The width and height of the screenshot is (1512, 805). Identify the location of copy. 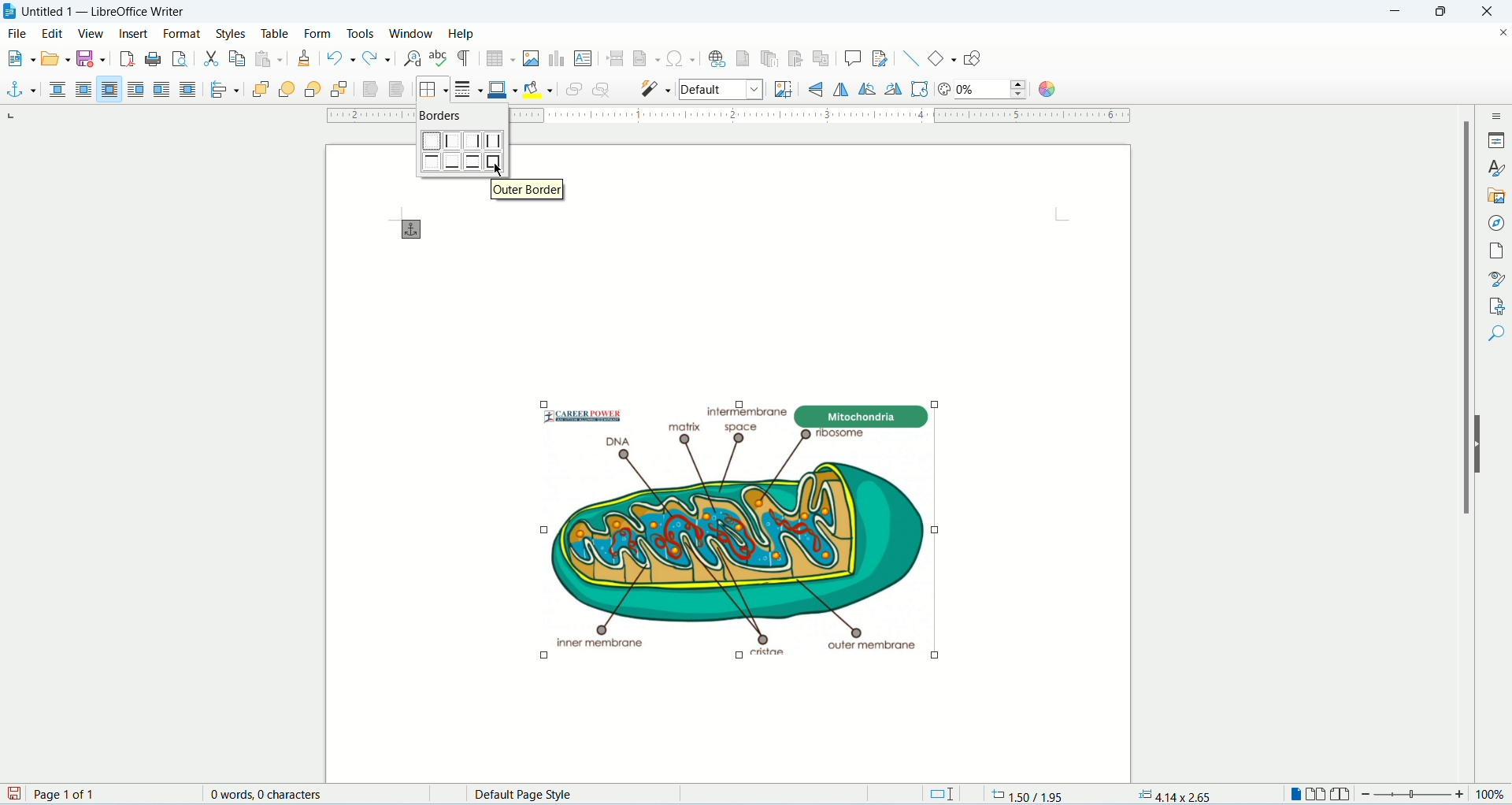
(237, 58).